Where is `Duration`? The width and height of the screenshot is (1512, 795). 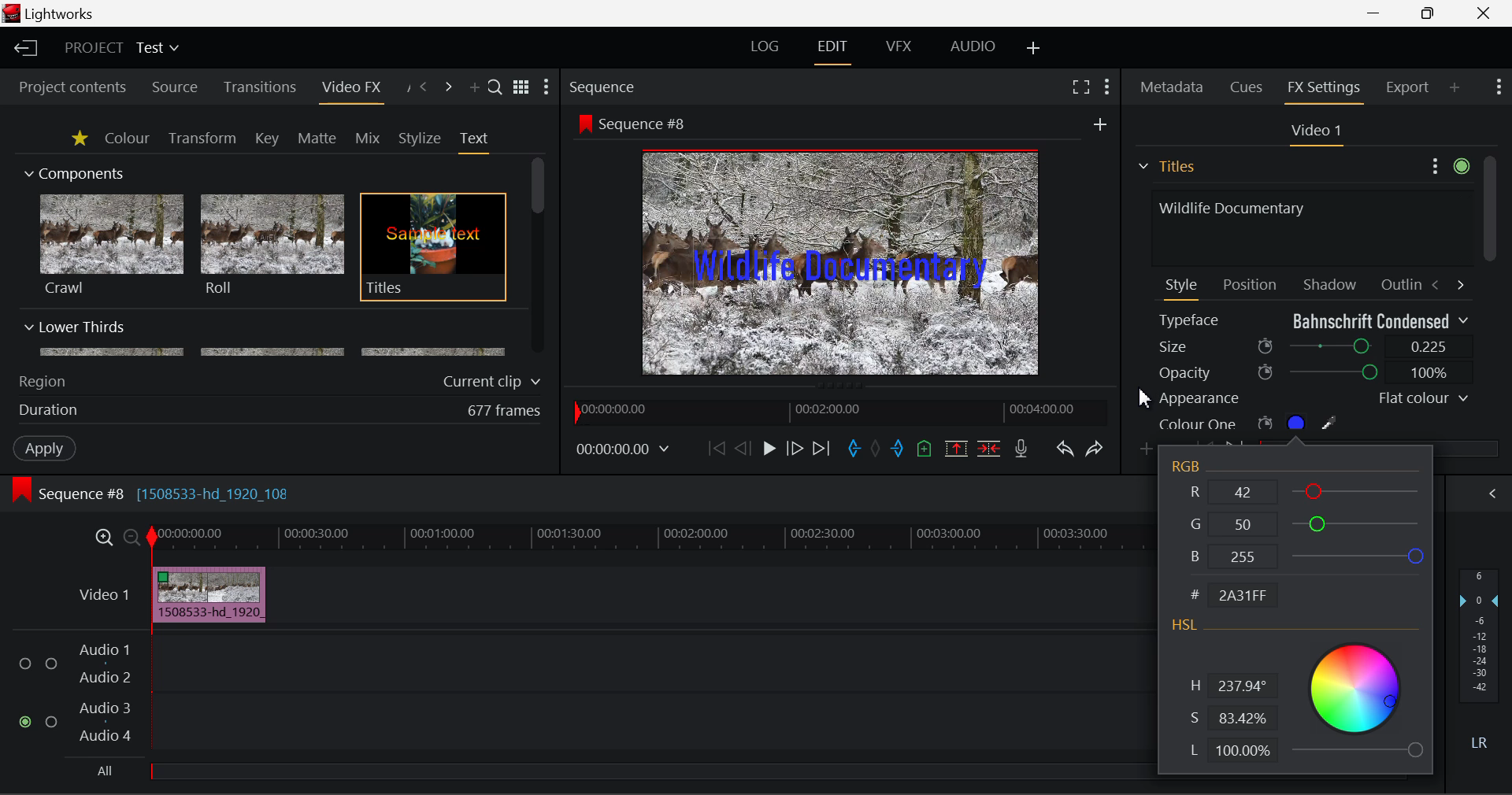 Duration is located at coordinates (50, 411).